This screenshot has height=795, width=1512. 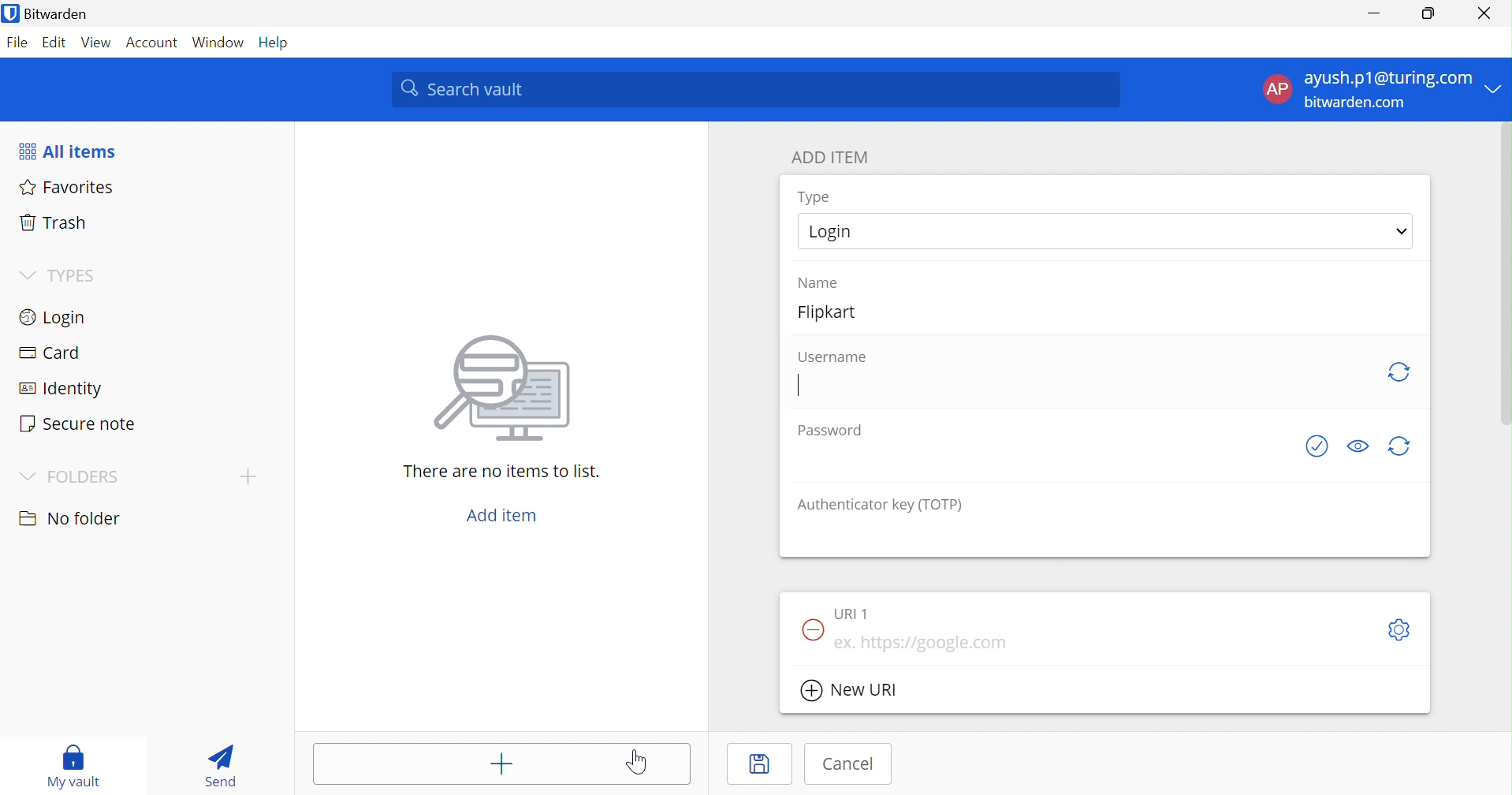 What do you see at coordinates (1386, 80) in the screenshot?
I see `ayush.p1@gmail.com` at bounding box center [1386, 80].